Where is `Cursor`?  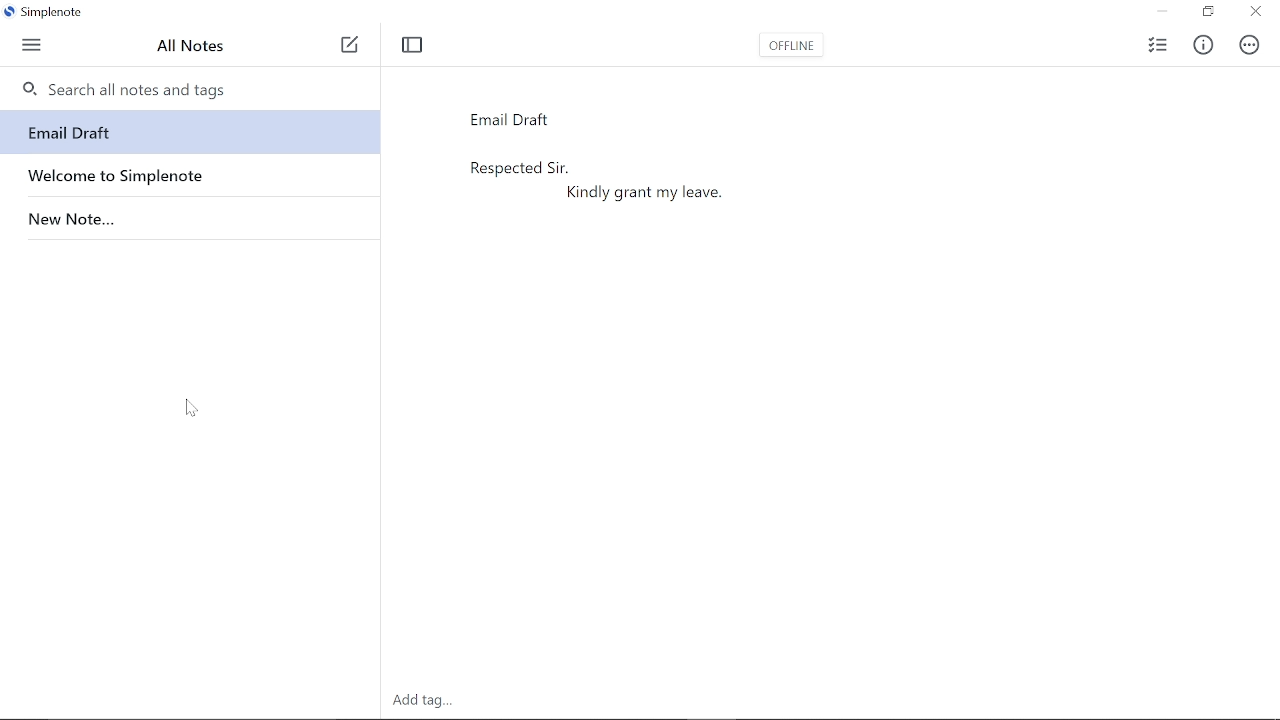
Cursor is located at coordinates (190, 409).